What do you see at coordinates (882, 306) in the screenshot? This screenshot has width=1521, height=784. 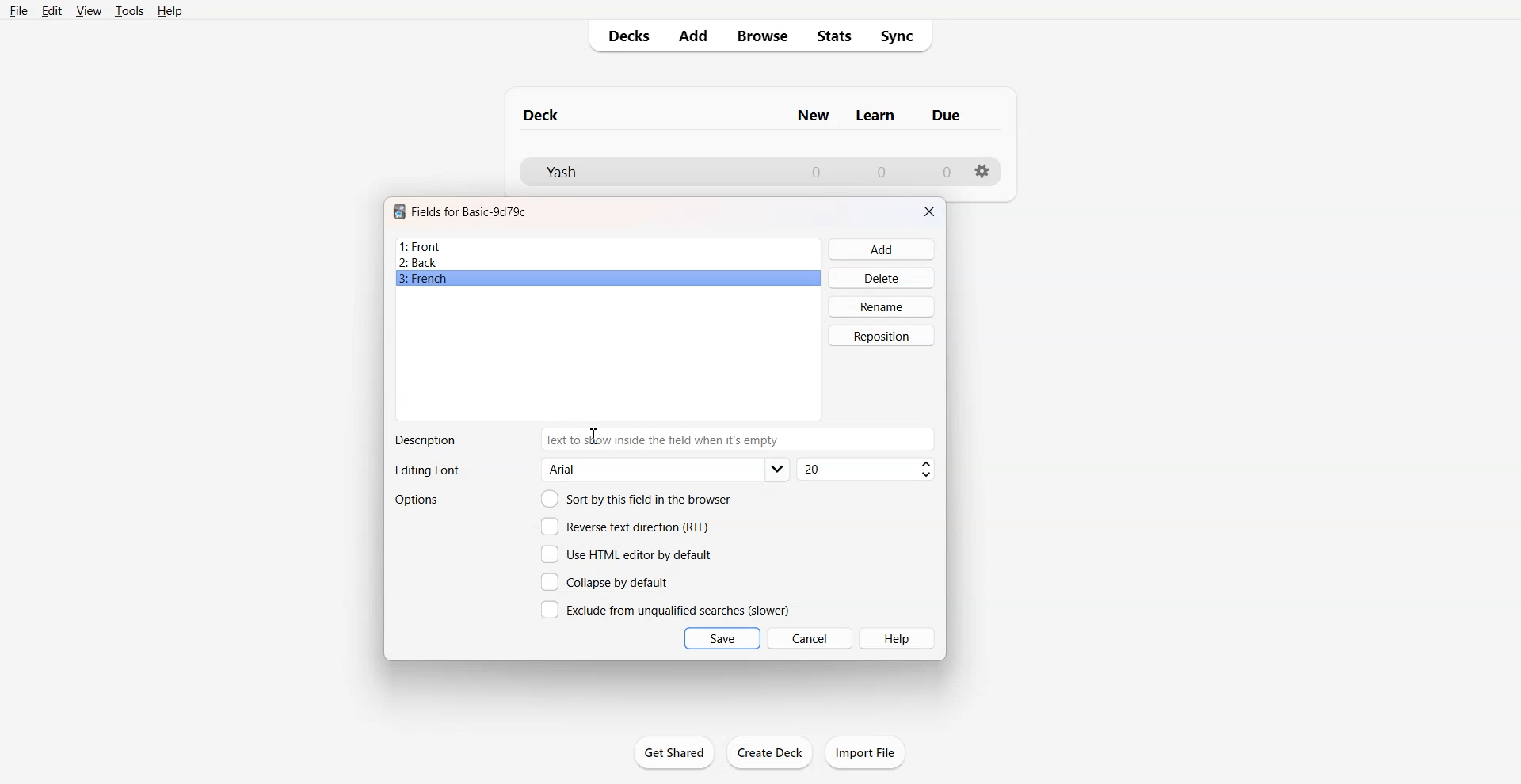 I see `Rename` at bounding box center [882, 306].